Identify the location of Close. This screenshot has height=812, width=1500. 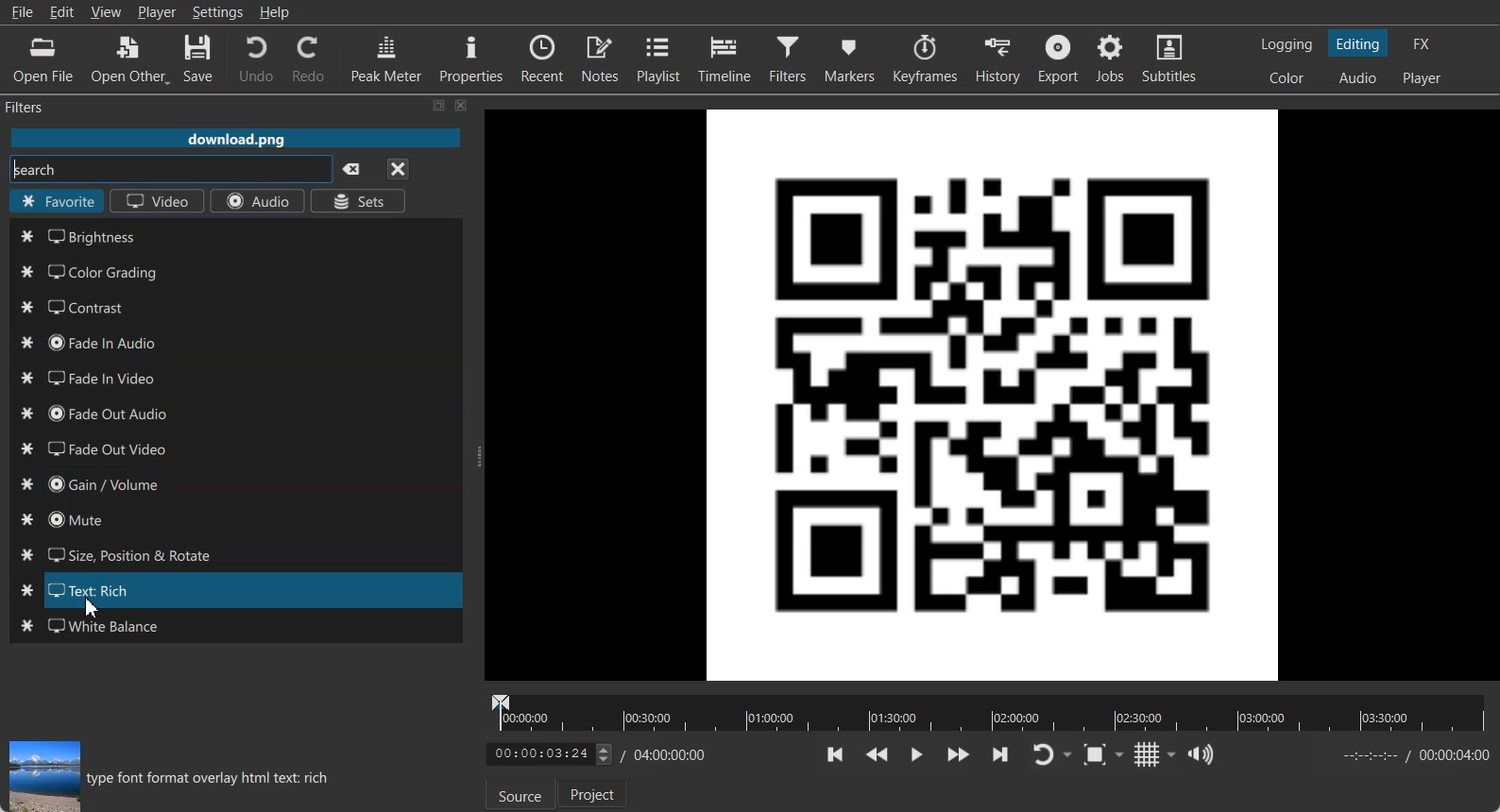
(462, 105).